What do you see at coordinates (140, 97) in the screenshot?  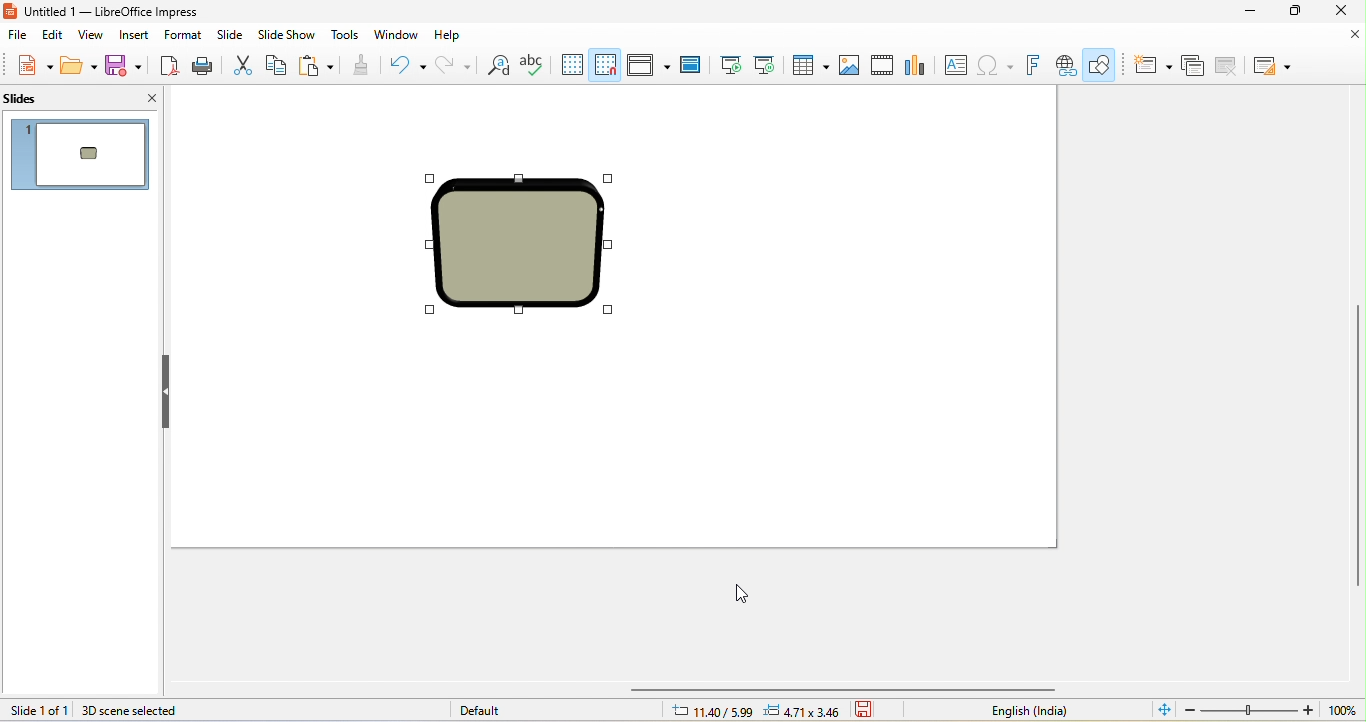 I see `close` at bounding box center [140, 97].